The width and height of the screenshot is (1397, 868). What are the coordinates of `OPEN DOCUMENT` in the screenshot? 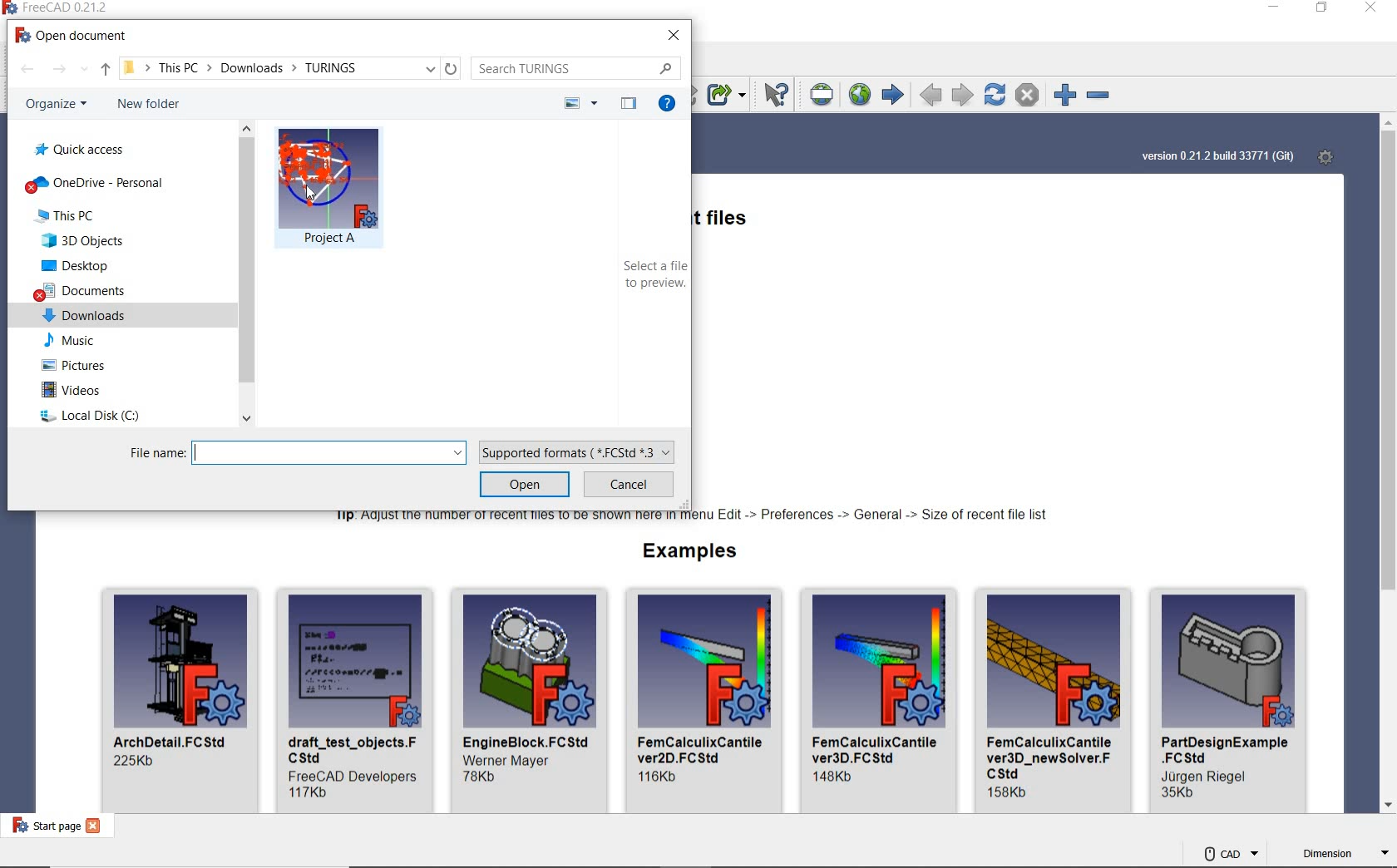 It's located at (83, 37).